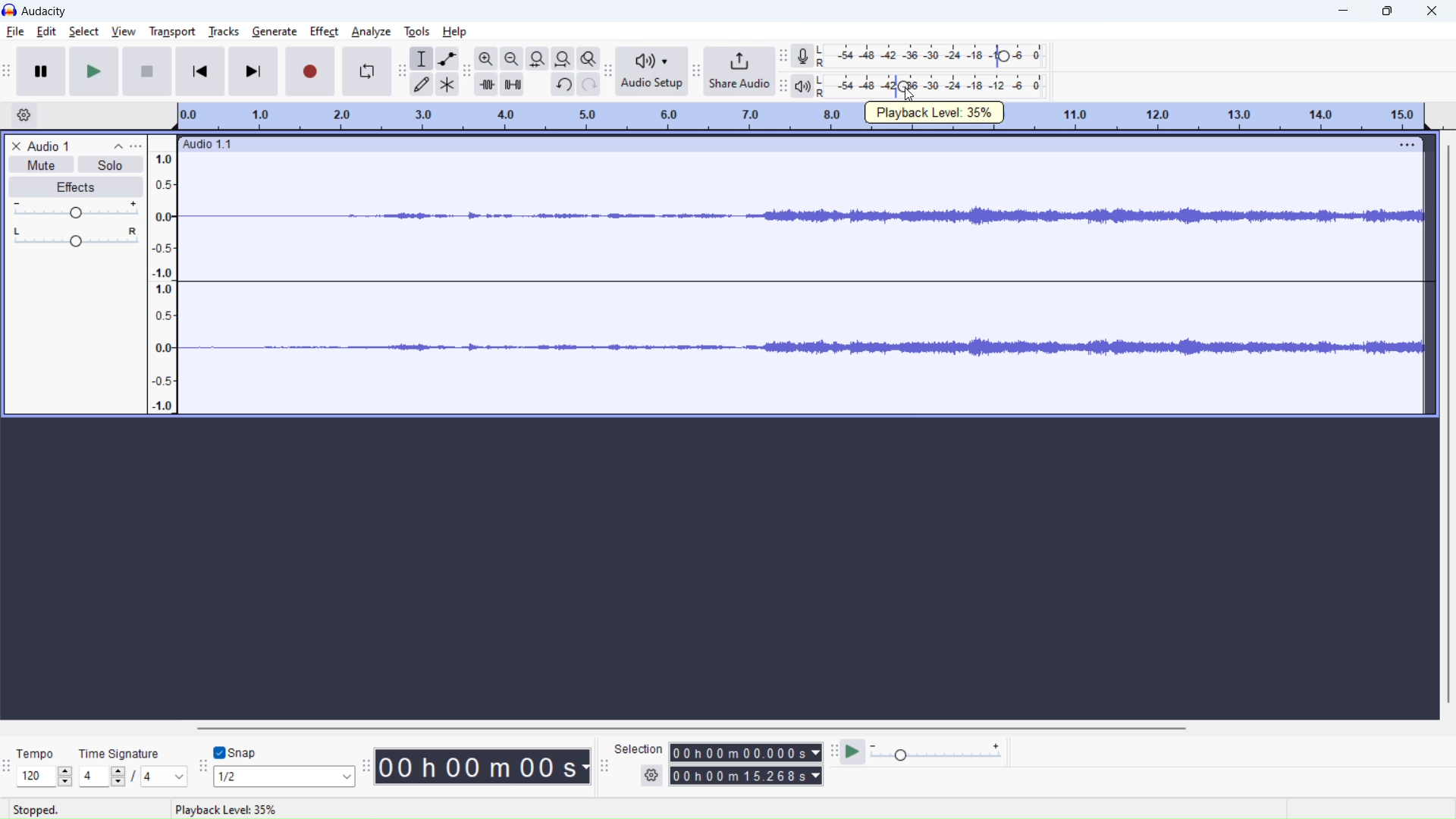 The width and height of the screenshot is (1456, 819). What do you see at coordinates (124, 31) in the screenshot?
I see `view` at bounding box center [124, 31].